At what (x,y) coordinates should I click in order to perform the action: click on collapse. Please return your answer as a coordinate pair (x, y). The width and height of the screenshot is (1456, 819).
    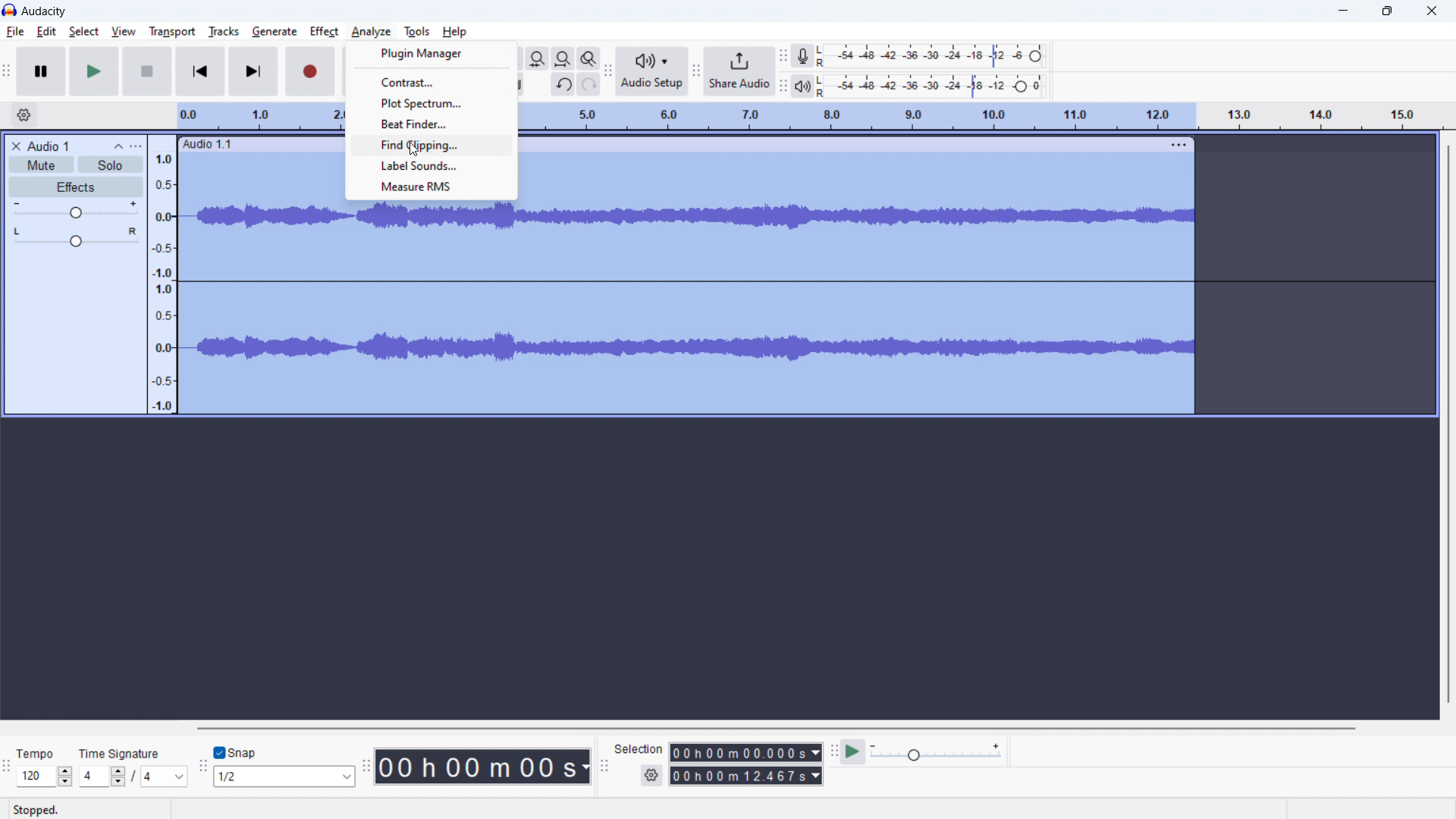
    Looking at the image, I should click on (116, 146).